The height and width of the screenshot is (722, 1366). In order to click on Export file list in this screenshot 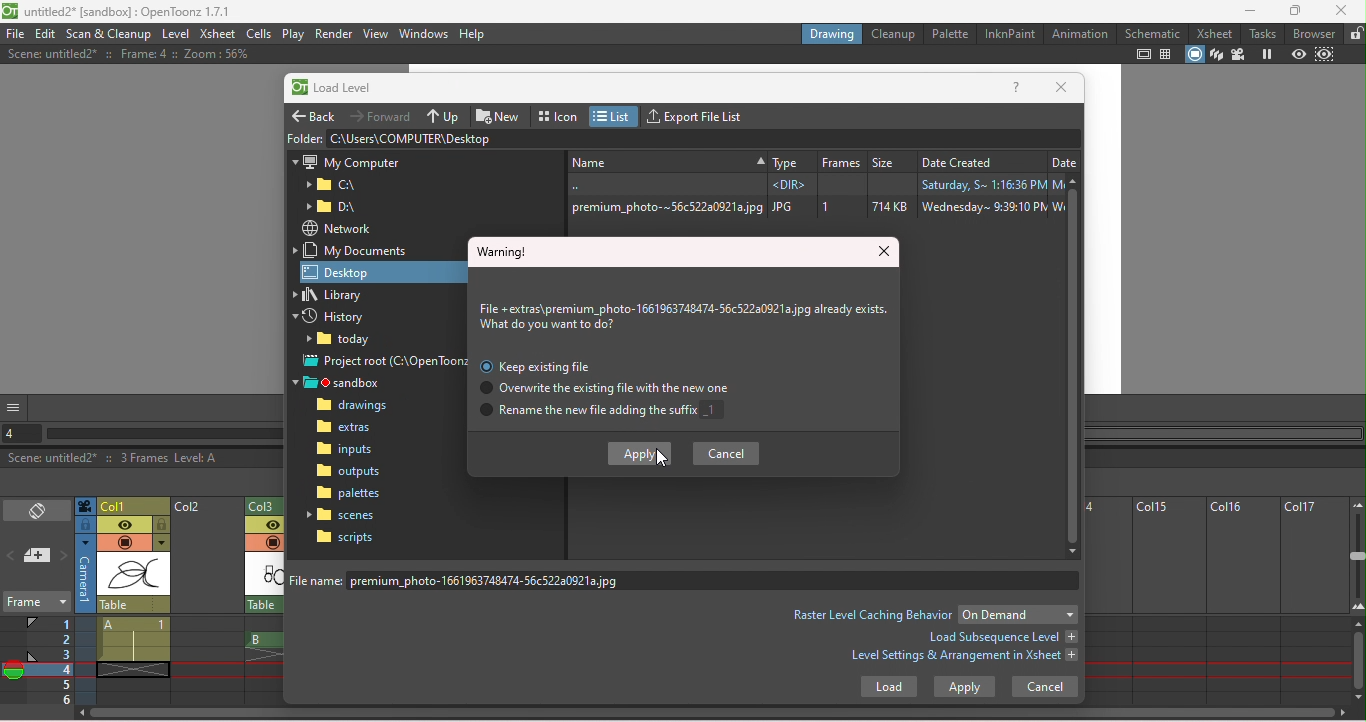, I will do `click(700, 114)`.